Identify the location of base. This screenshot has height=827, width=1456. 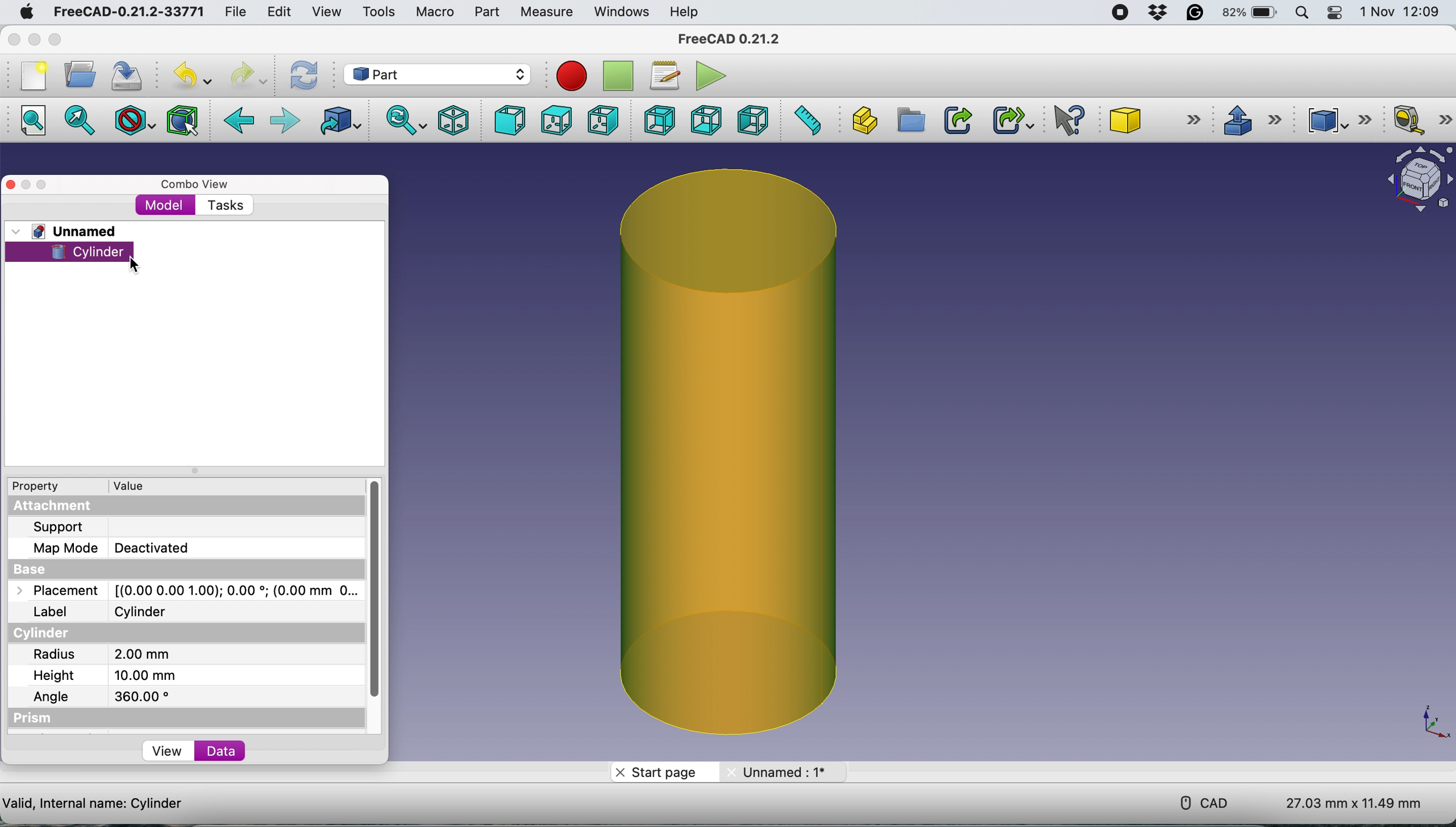
(30, 569).